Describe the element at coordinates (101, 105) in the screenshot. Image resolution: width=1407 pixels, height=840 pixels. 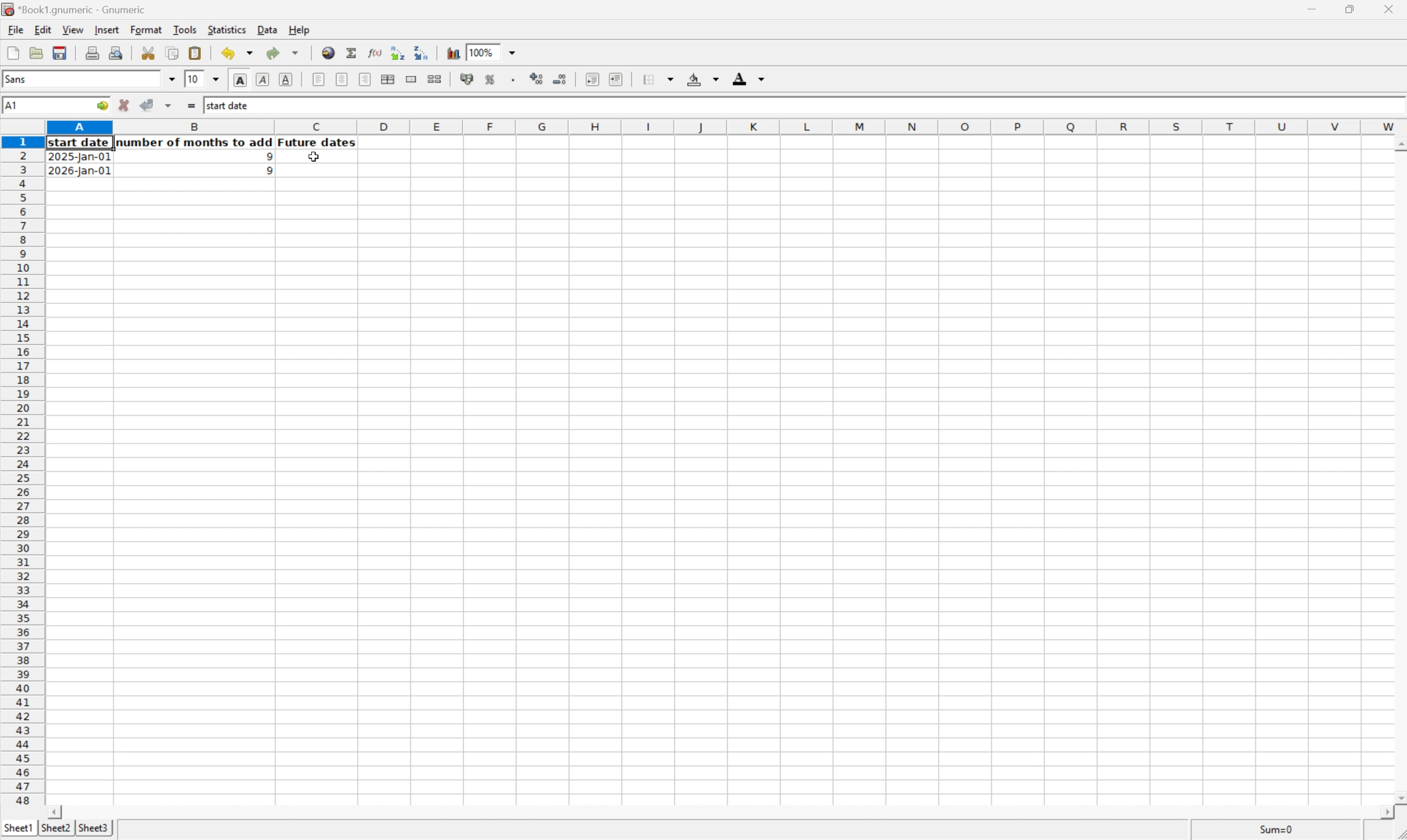
I see `Go to` at that location.